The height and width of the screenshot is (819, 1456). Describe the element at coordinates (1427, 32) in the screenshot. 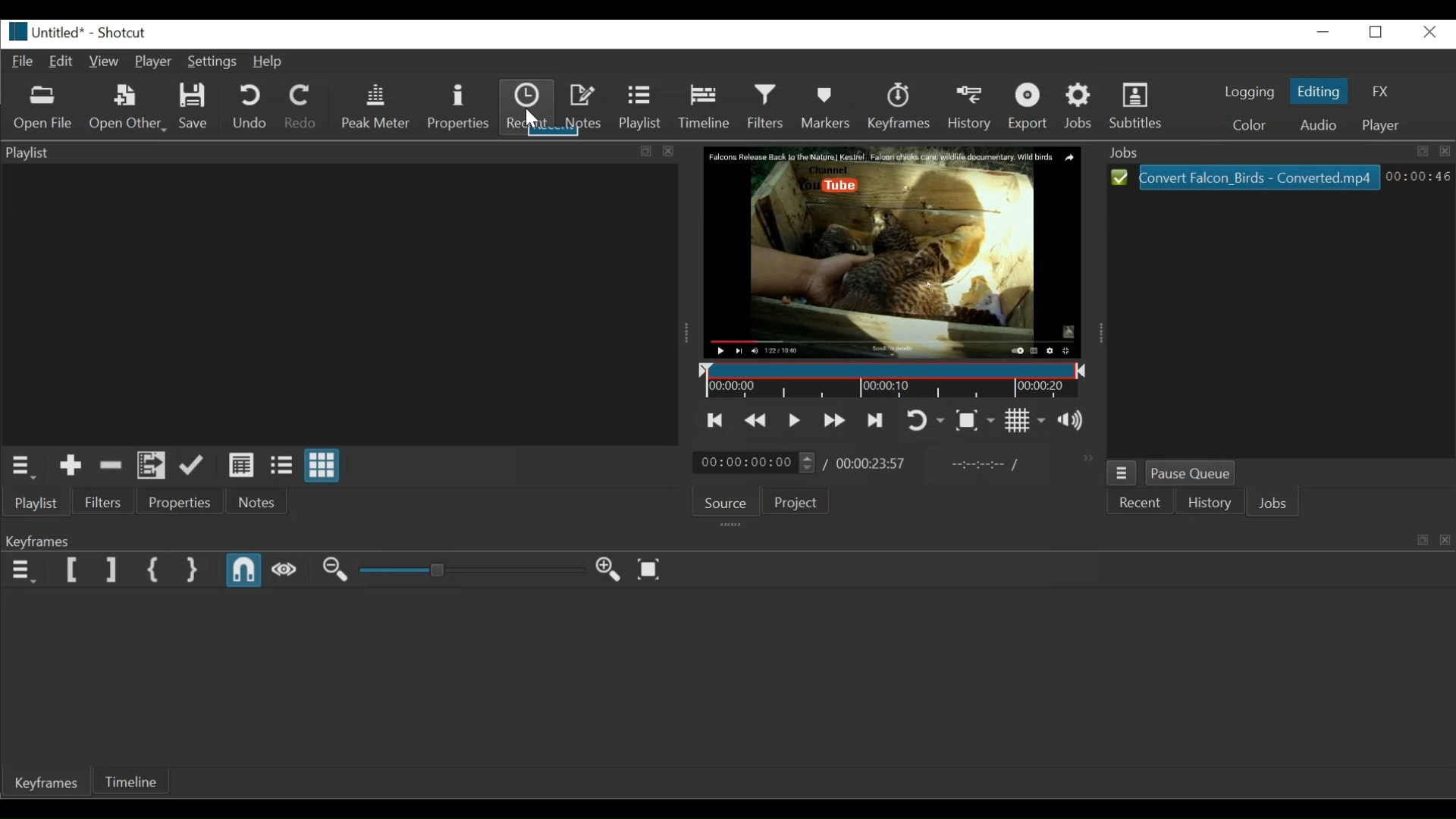

I see `Close` at that location.